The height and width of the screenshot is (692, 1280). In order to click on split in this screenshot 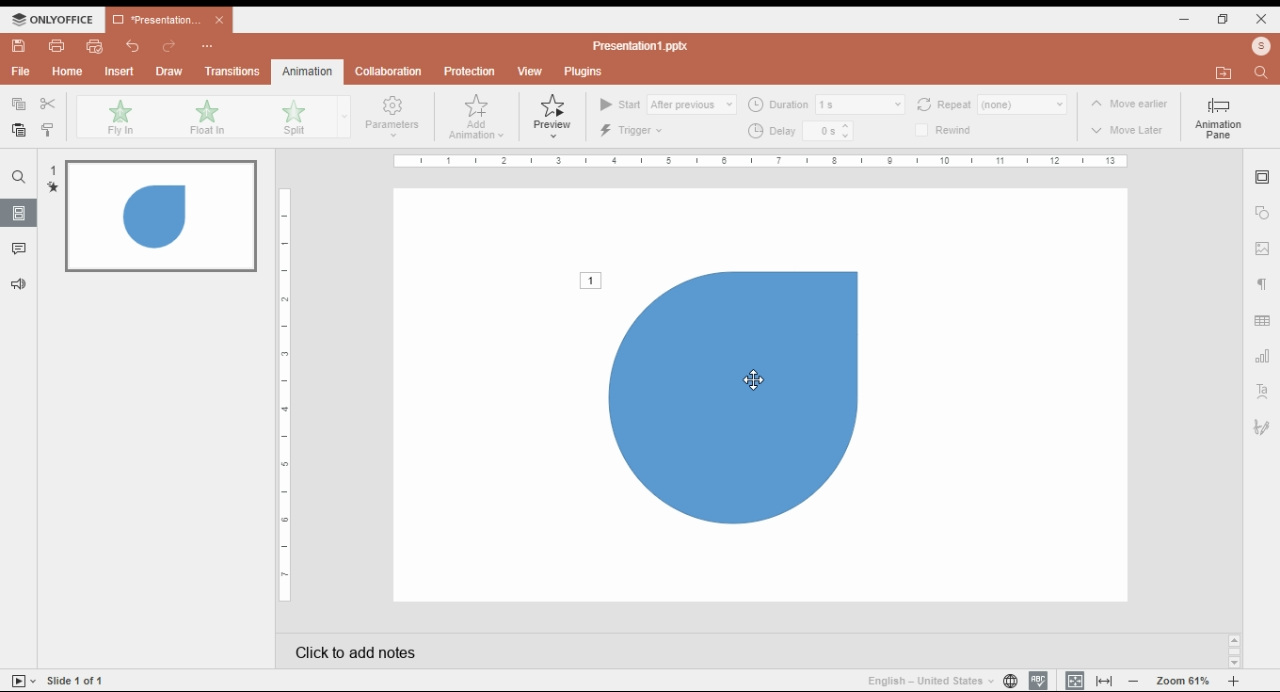, I will do `click(292, 118)`.